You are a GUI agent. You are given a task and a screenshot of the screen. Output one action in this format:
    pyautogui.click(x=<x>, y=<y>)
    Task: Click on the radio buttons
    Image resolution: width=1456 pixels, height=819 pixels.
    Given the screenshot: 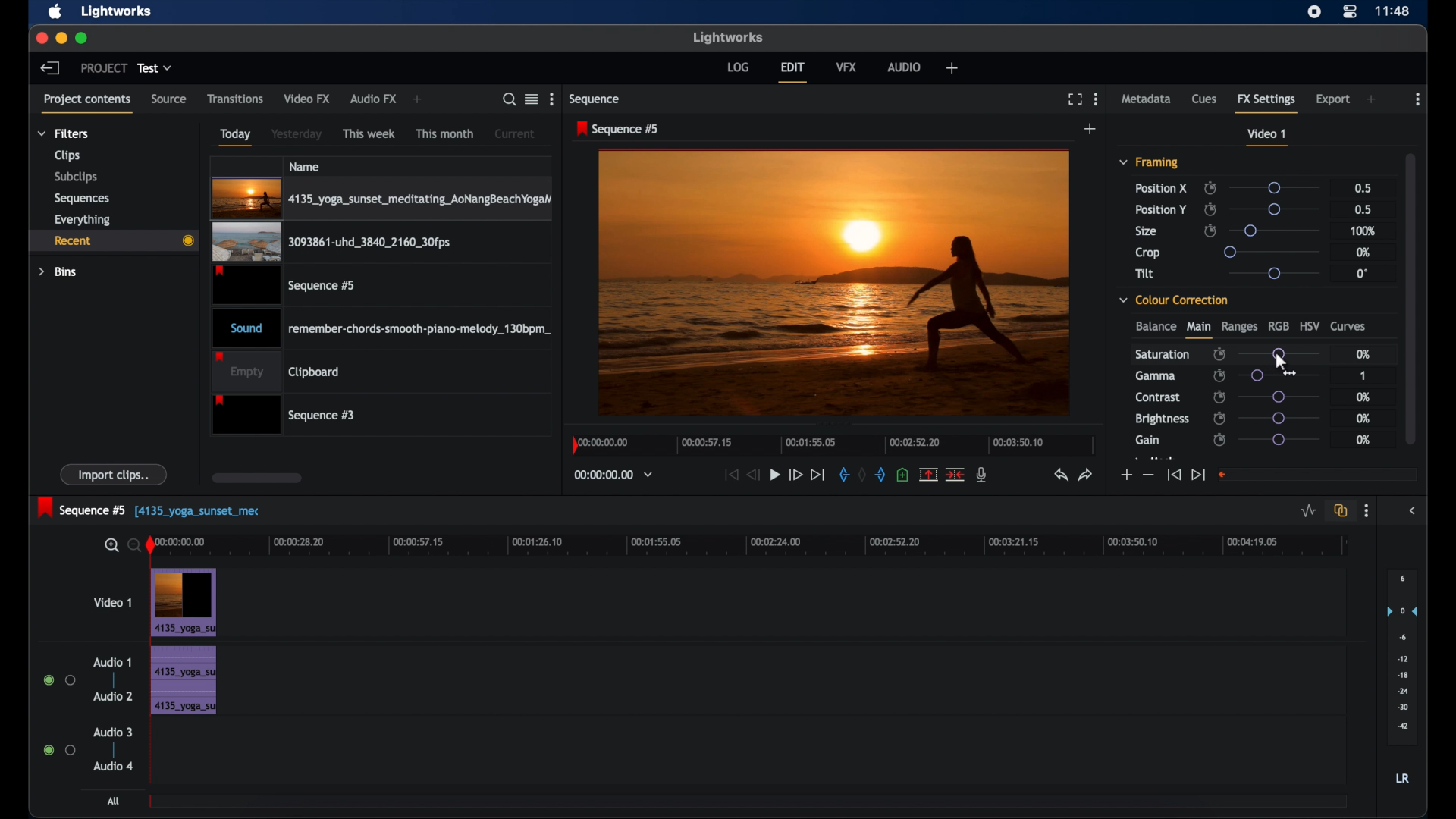 What is the action you would take?
    pyautogui.click(x=60, y=680)
    